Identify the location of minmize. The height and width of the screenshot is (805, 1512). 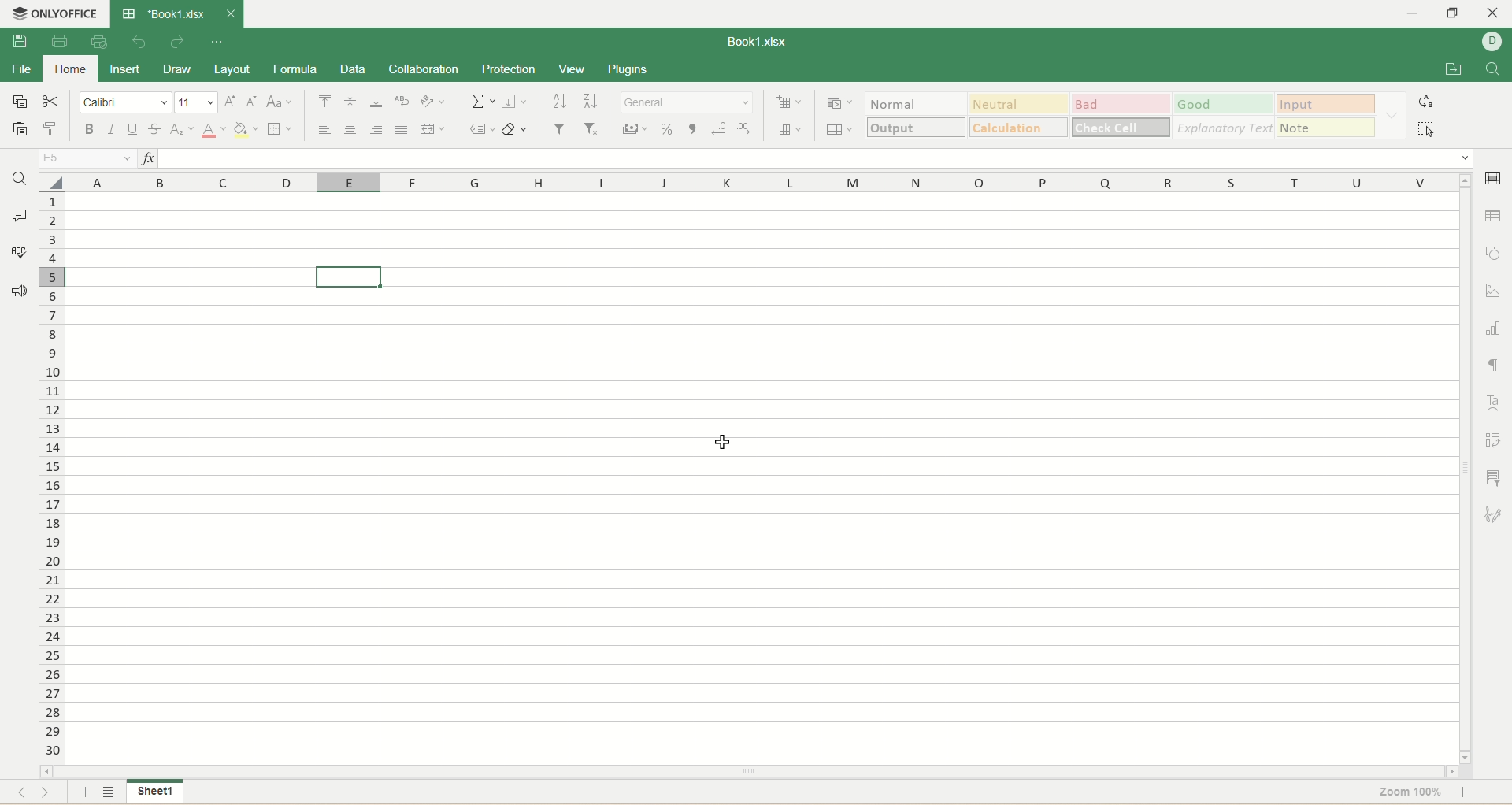
(1412, 13).